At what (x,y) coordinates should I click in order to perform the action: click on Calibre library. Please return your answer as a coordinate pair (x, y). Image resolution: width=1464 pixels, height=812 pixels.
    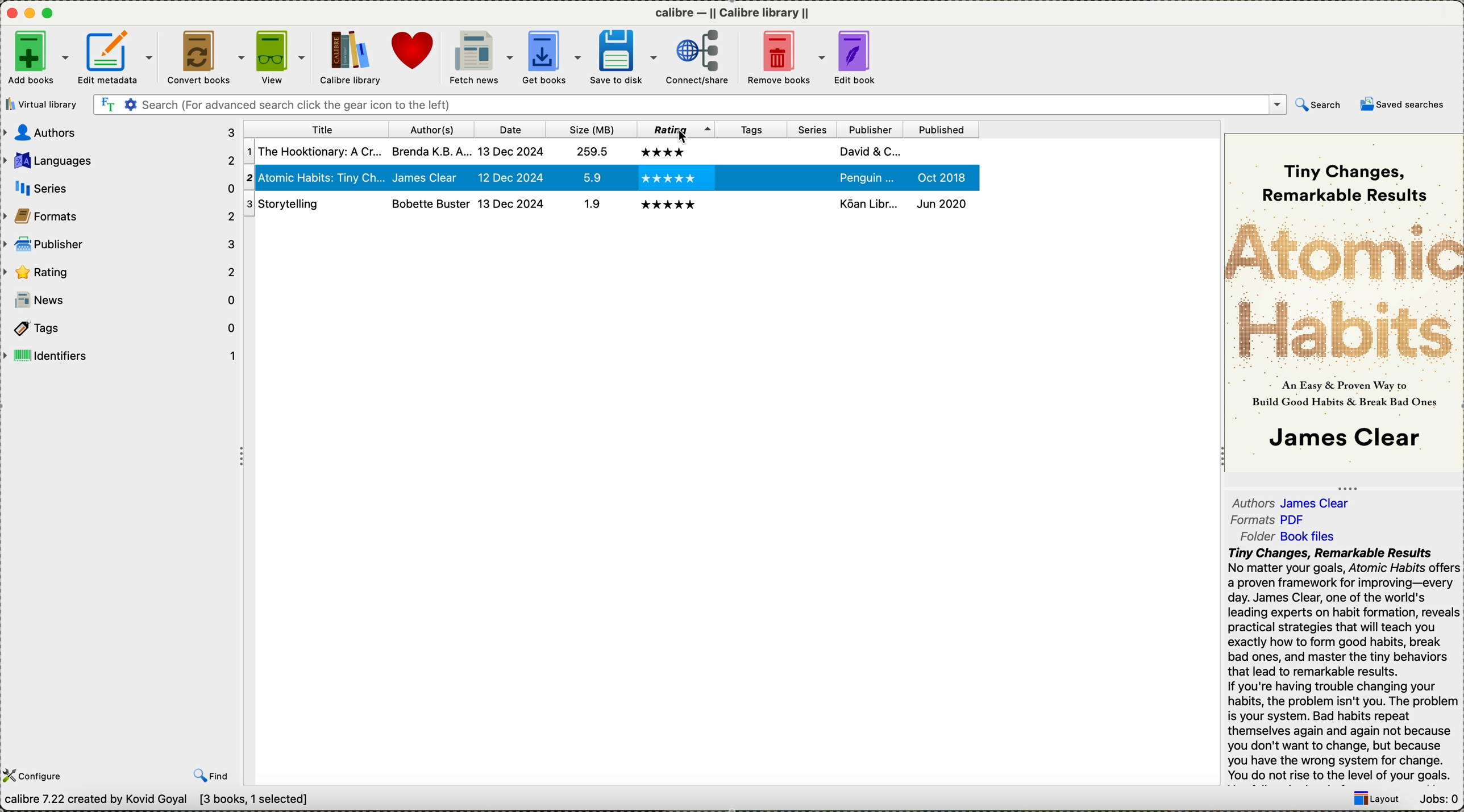
    Looking at the image, I should click on (350, 58).